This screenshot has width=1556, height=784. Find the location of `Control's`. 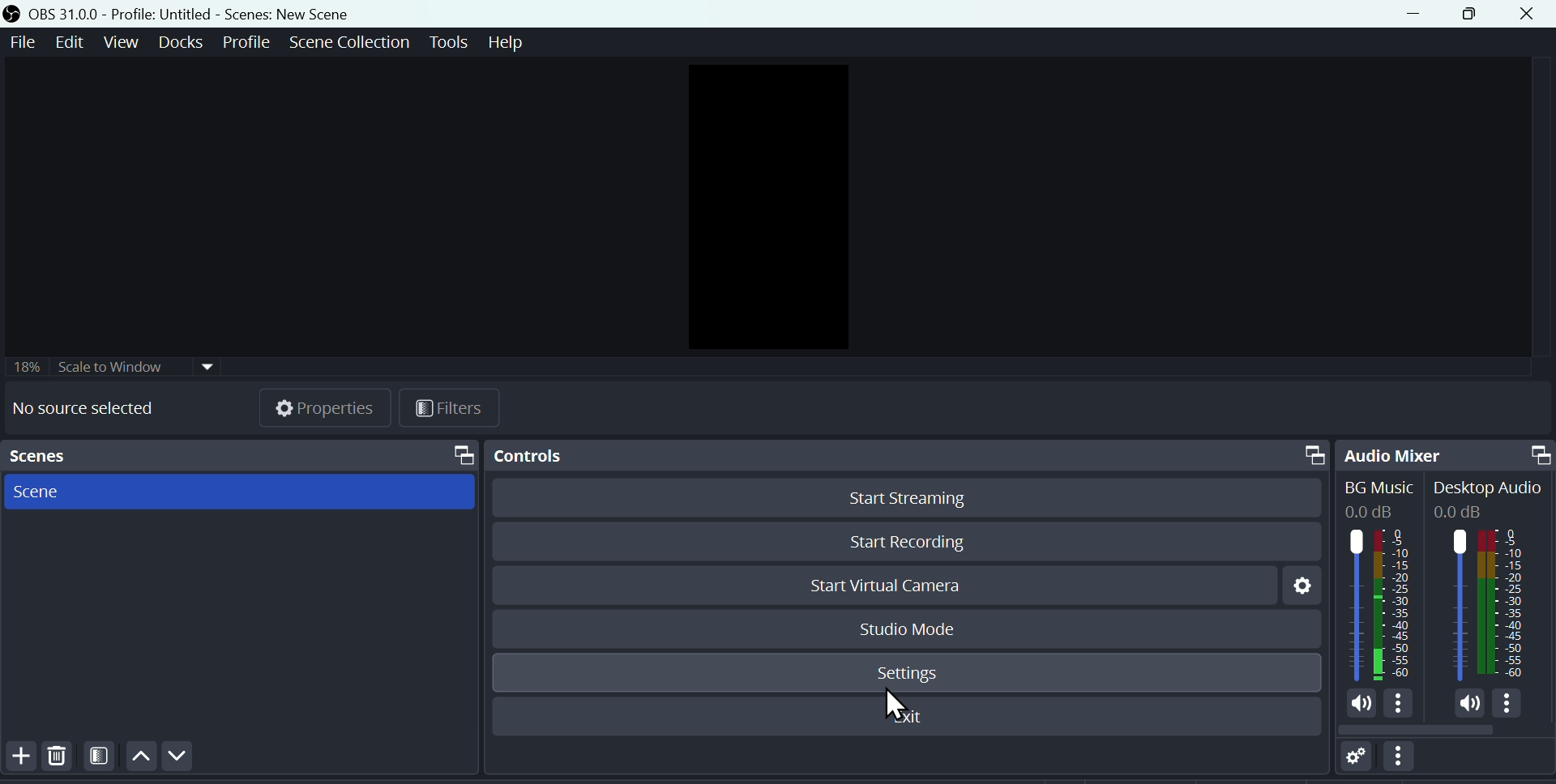

Control's is located at coordinates (904, 452).